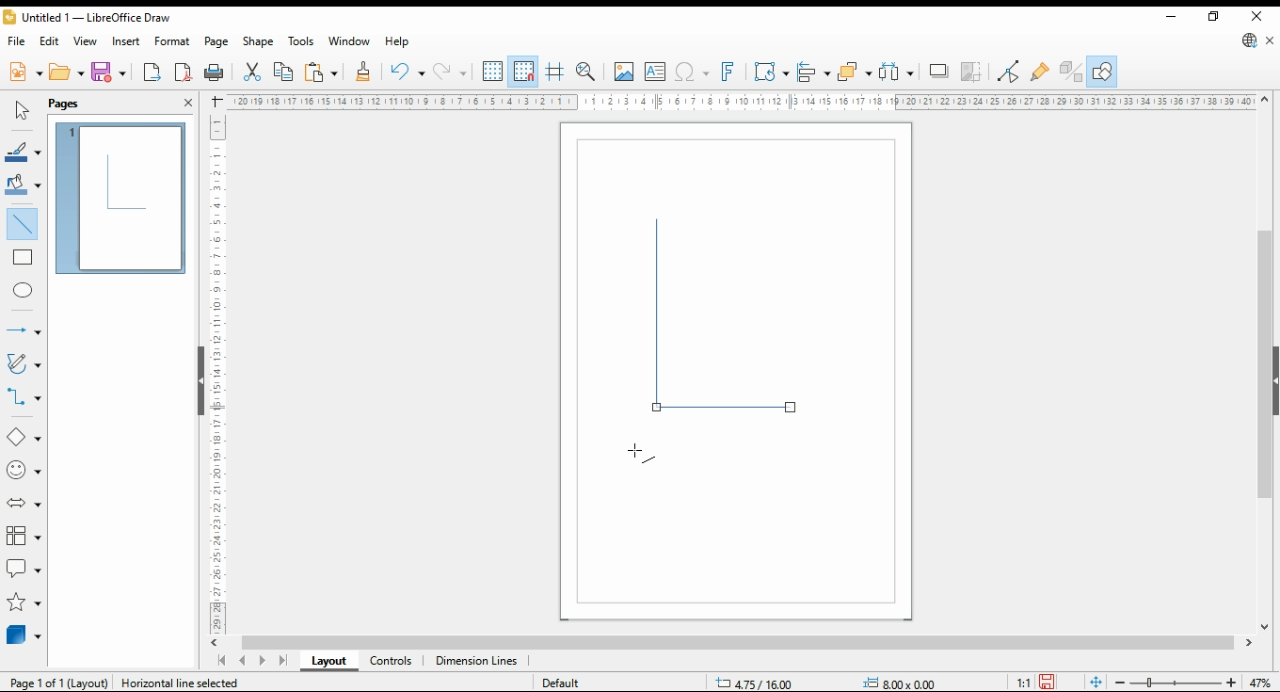 The width and height of the screenshot is (1280, 692). Describe the element at coordinates (771, 72) in the screenshot. I see `transformations` at that location.